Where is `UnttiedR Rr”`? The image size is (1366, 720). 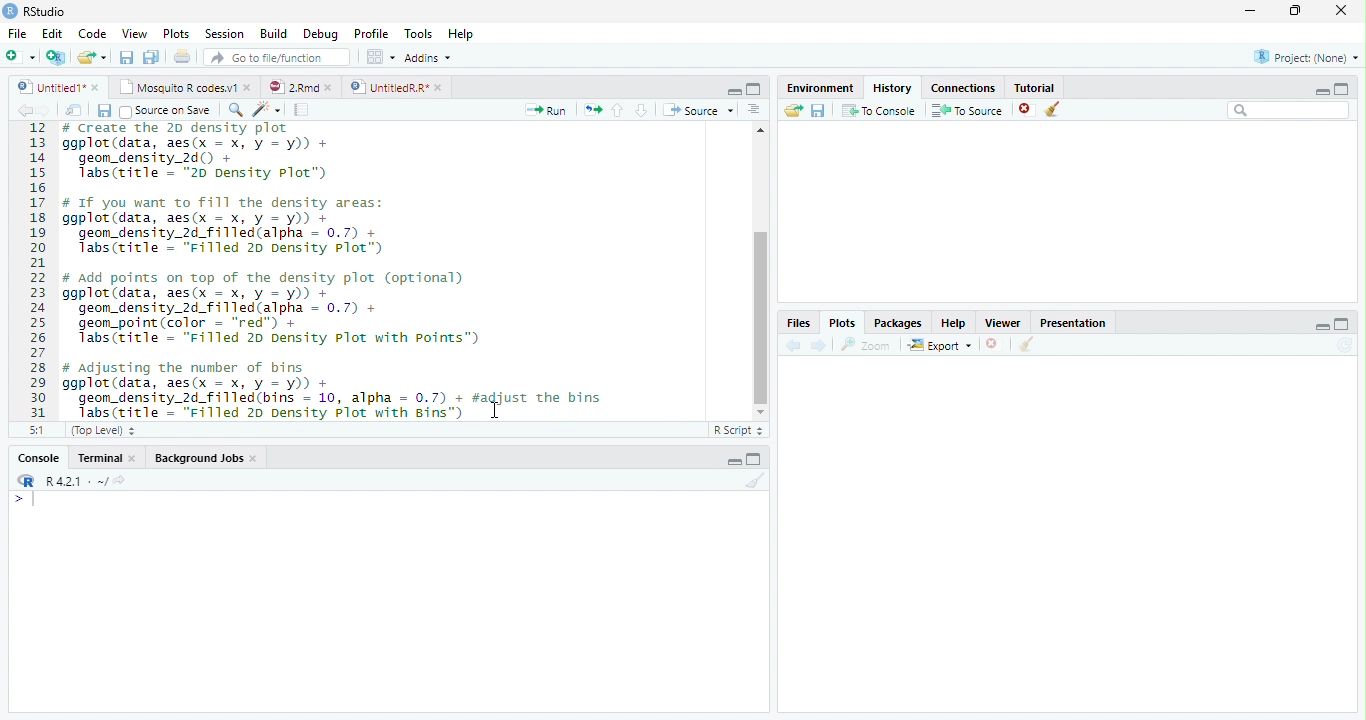 UnttiedR Rr” is located at coordinates (387, 86).